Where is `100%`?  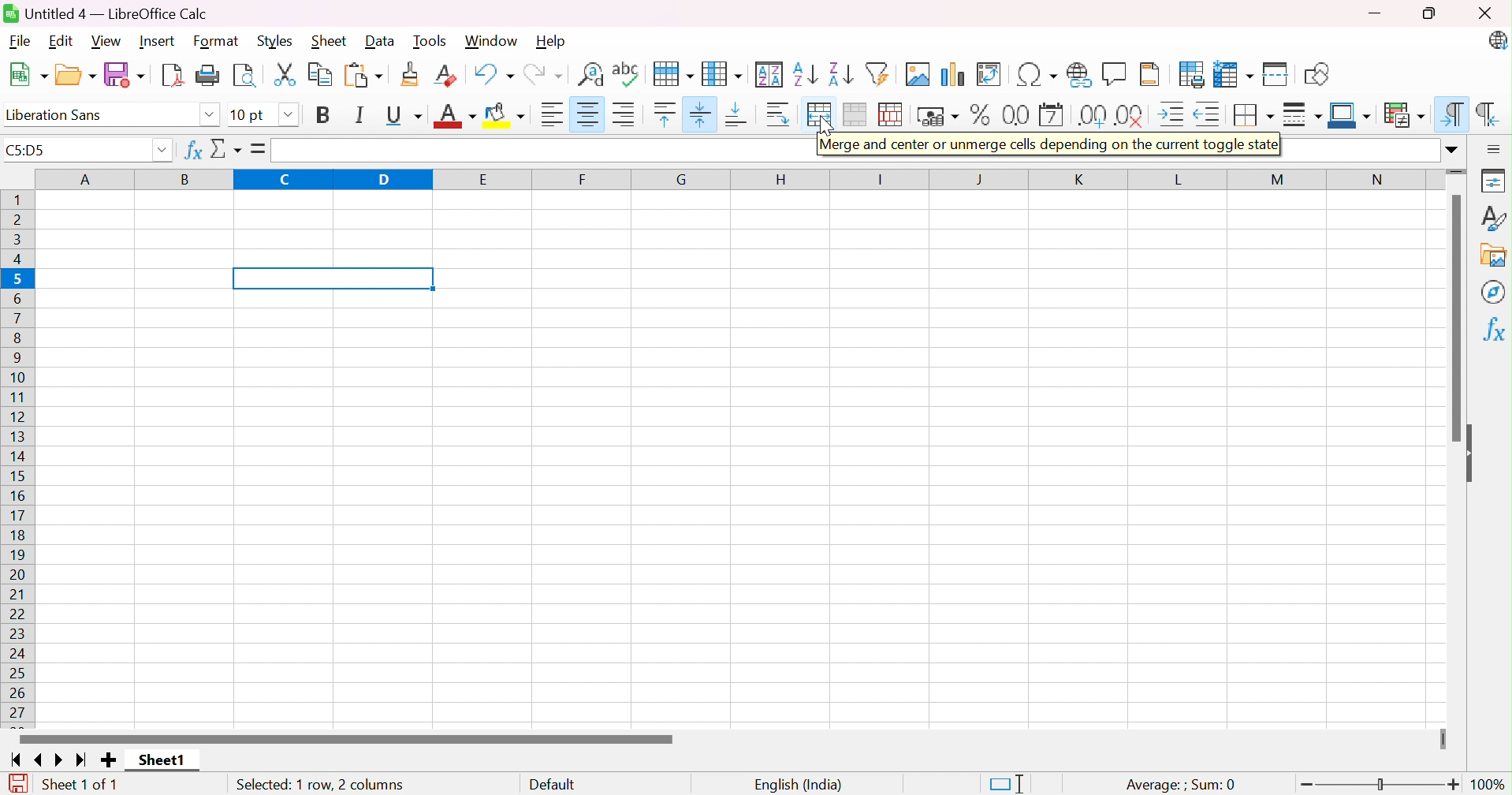 100% is located at coordinates (1488, 784).